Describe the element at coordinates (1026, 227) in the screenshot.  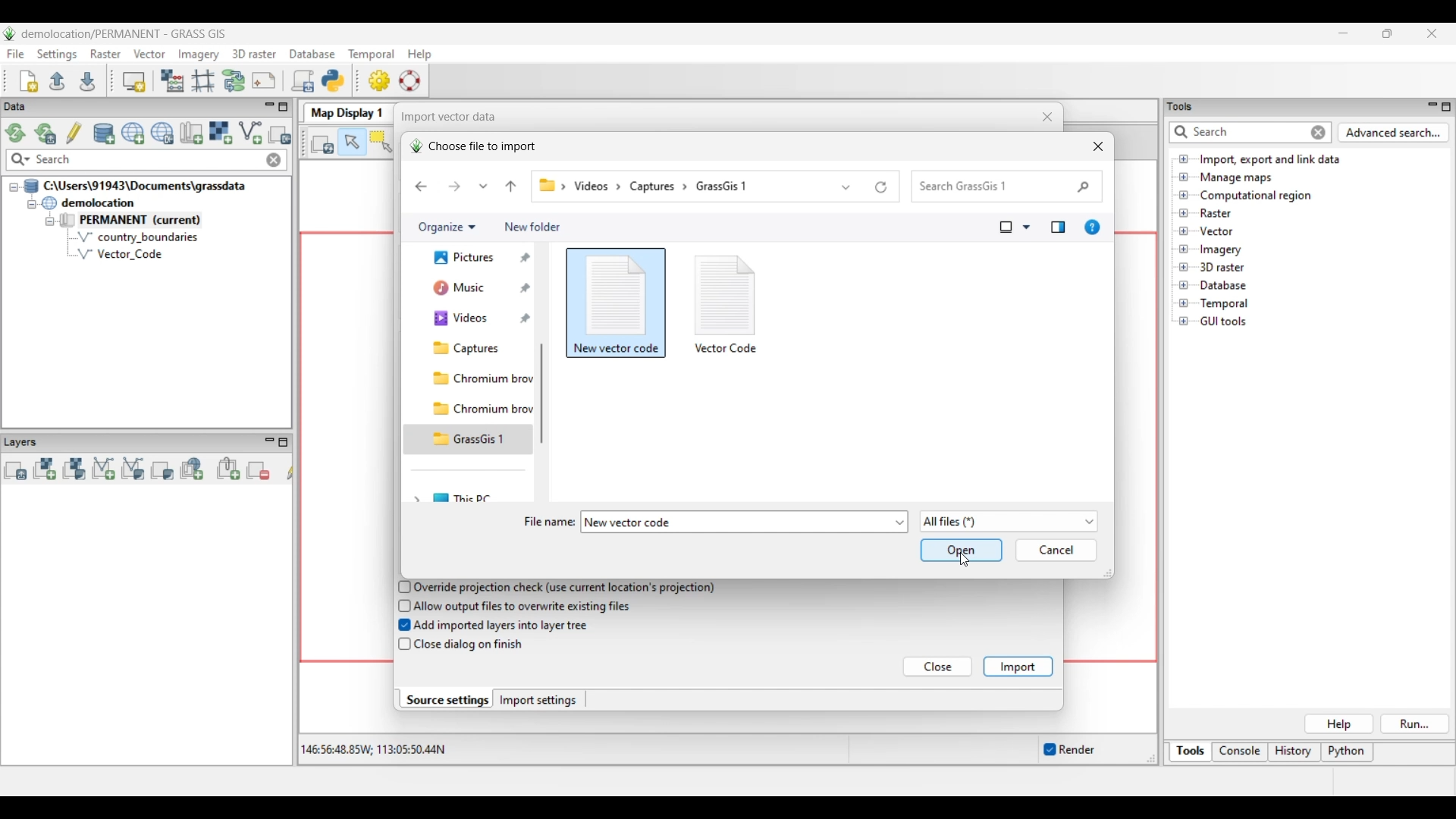
I see `Change view options` at that location.